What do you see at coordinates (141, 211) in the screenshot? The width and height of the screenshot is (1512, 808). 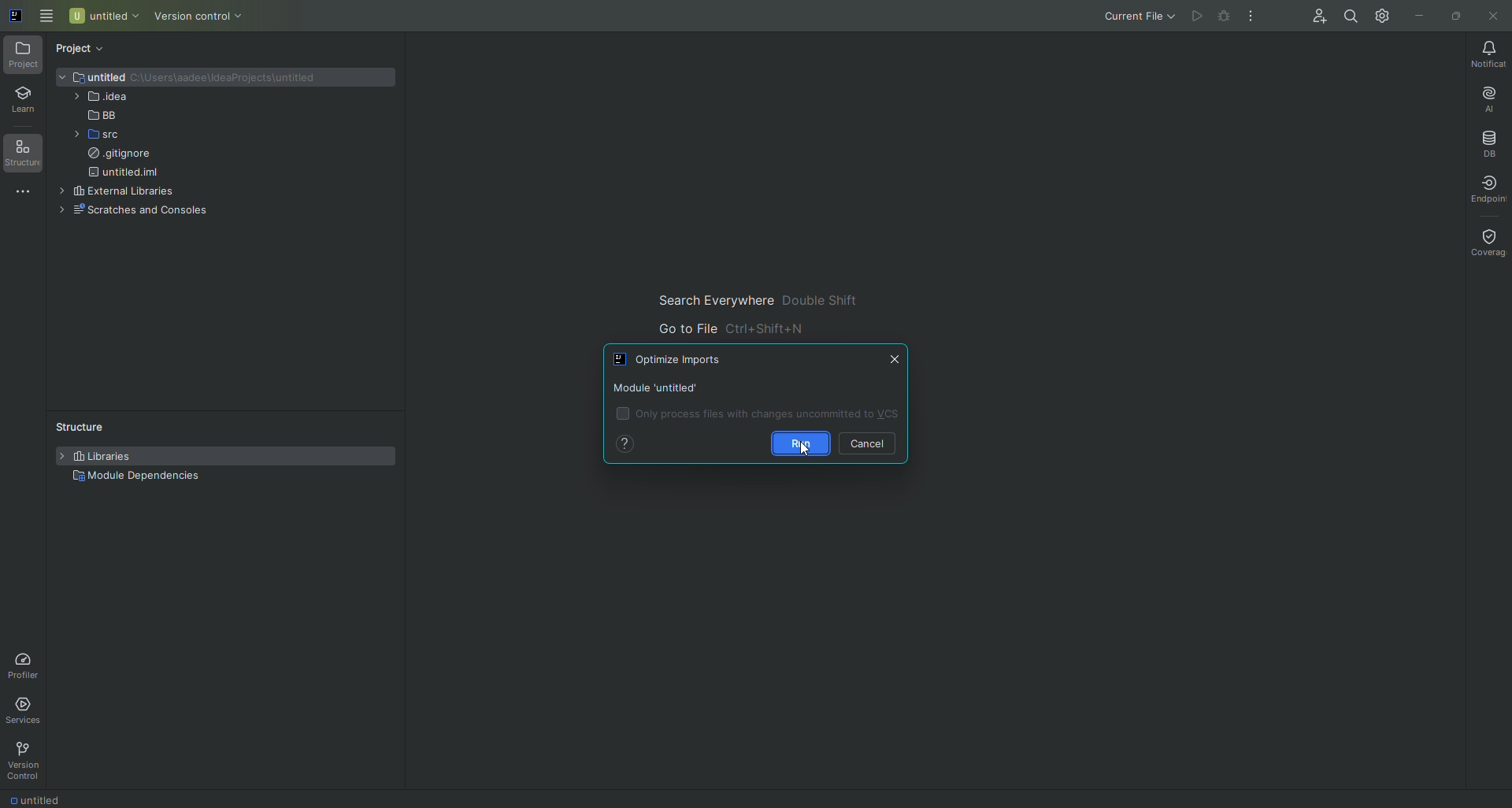 I see `Scratches and Console` at bounding box center [141, 211].